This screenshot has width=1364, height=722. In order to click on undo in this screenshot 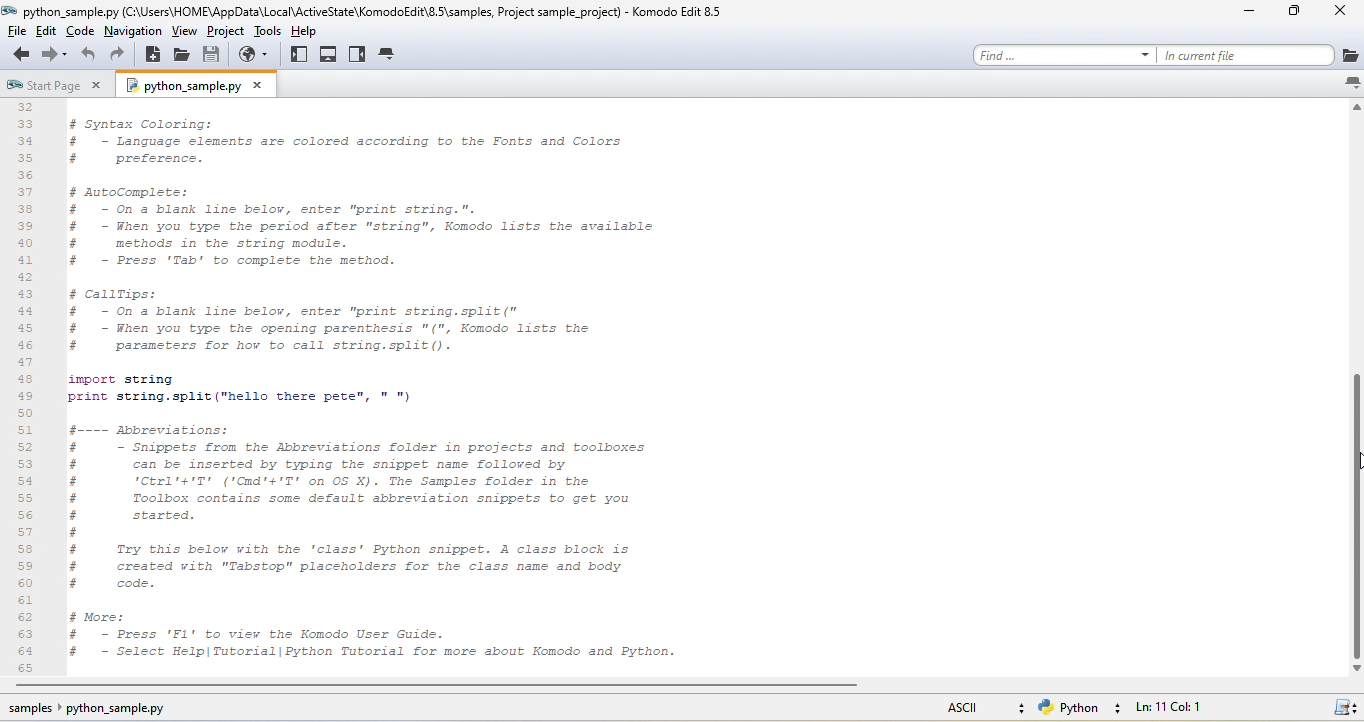, I will do `click(90, 57)`.